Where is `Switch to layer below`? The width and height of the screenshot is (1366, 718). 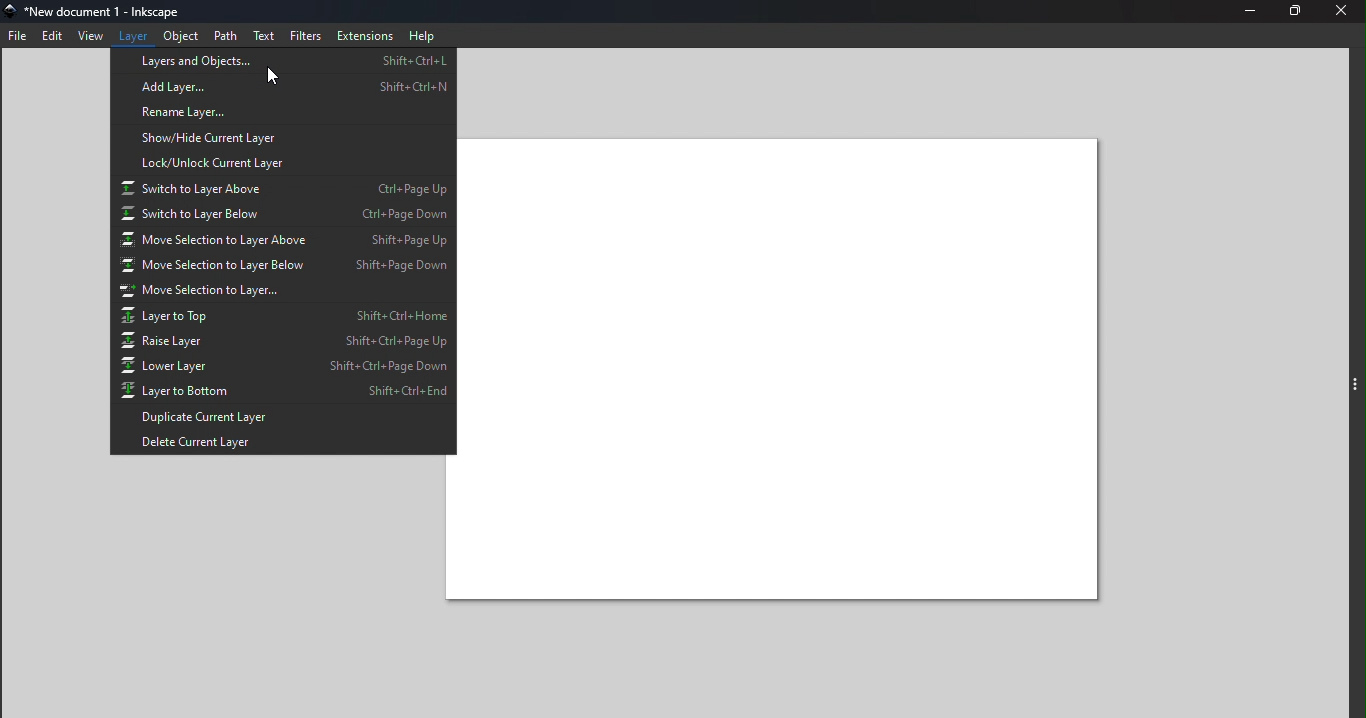
Switch to layer below is located at coordinates (282, 216).